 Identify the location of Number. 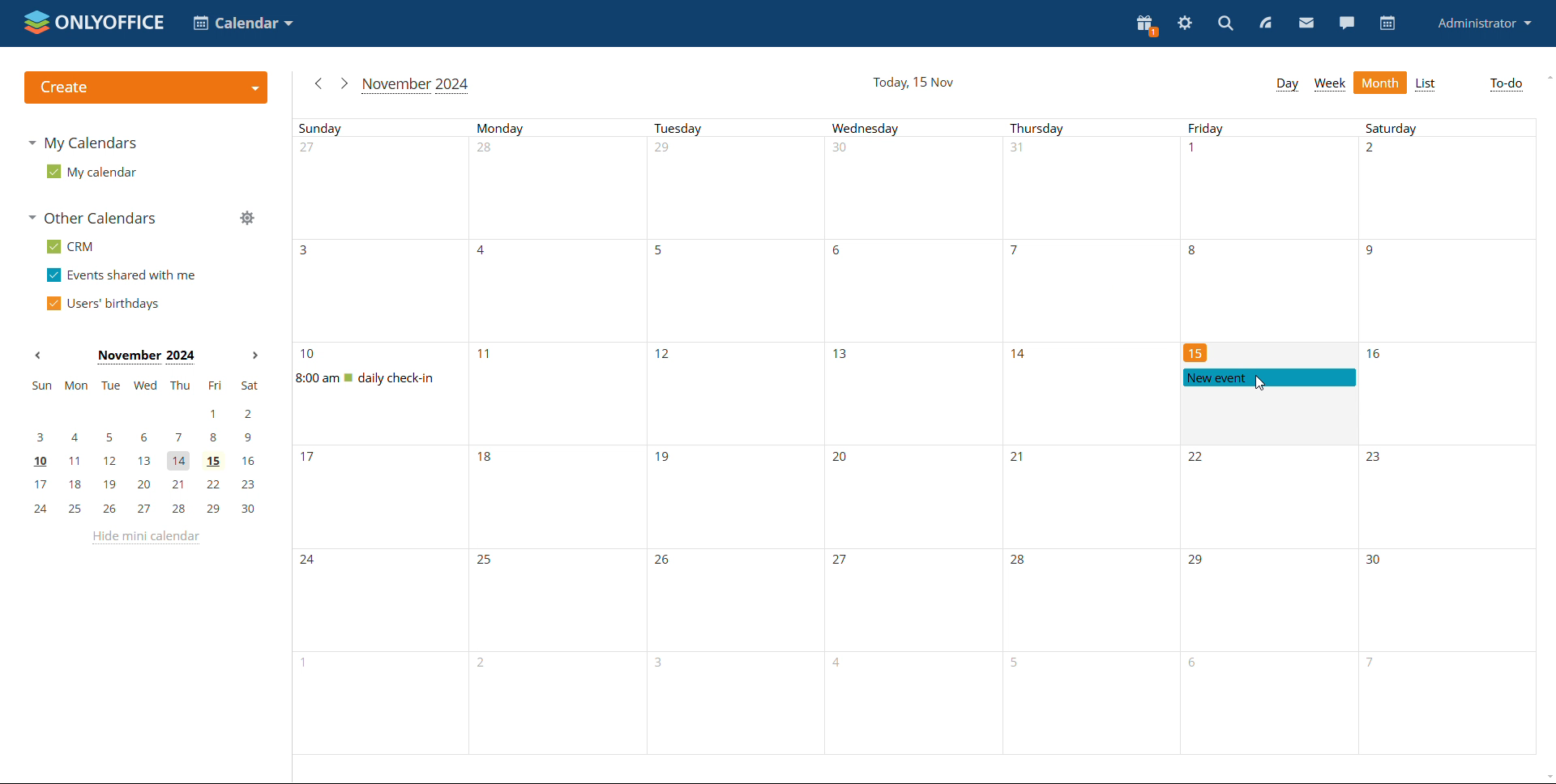
(1020, 461).